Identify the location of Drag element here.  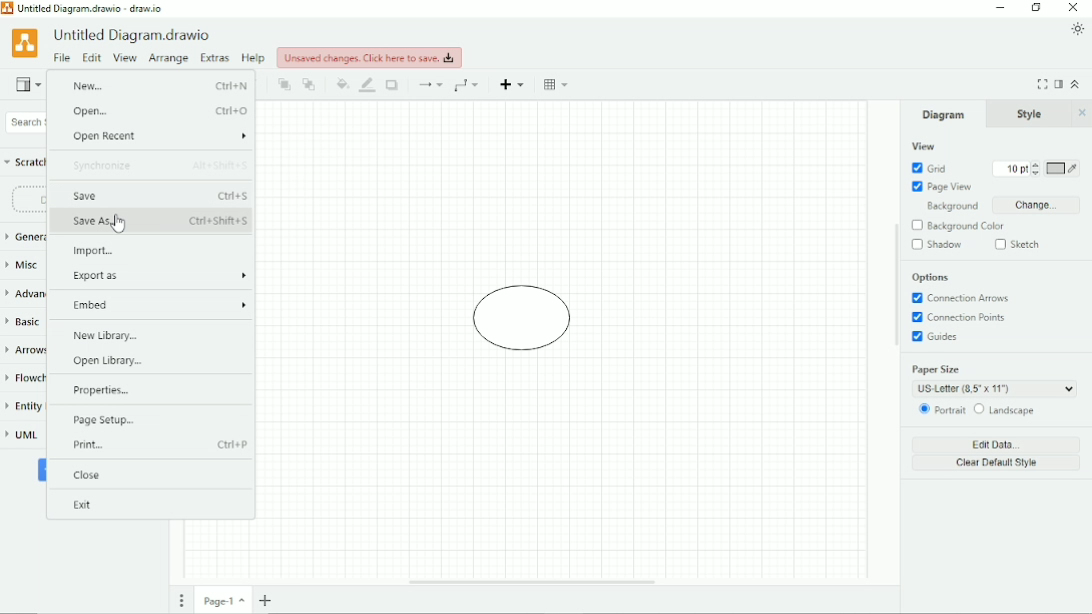
(26, 198).